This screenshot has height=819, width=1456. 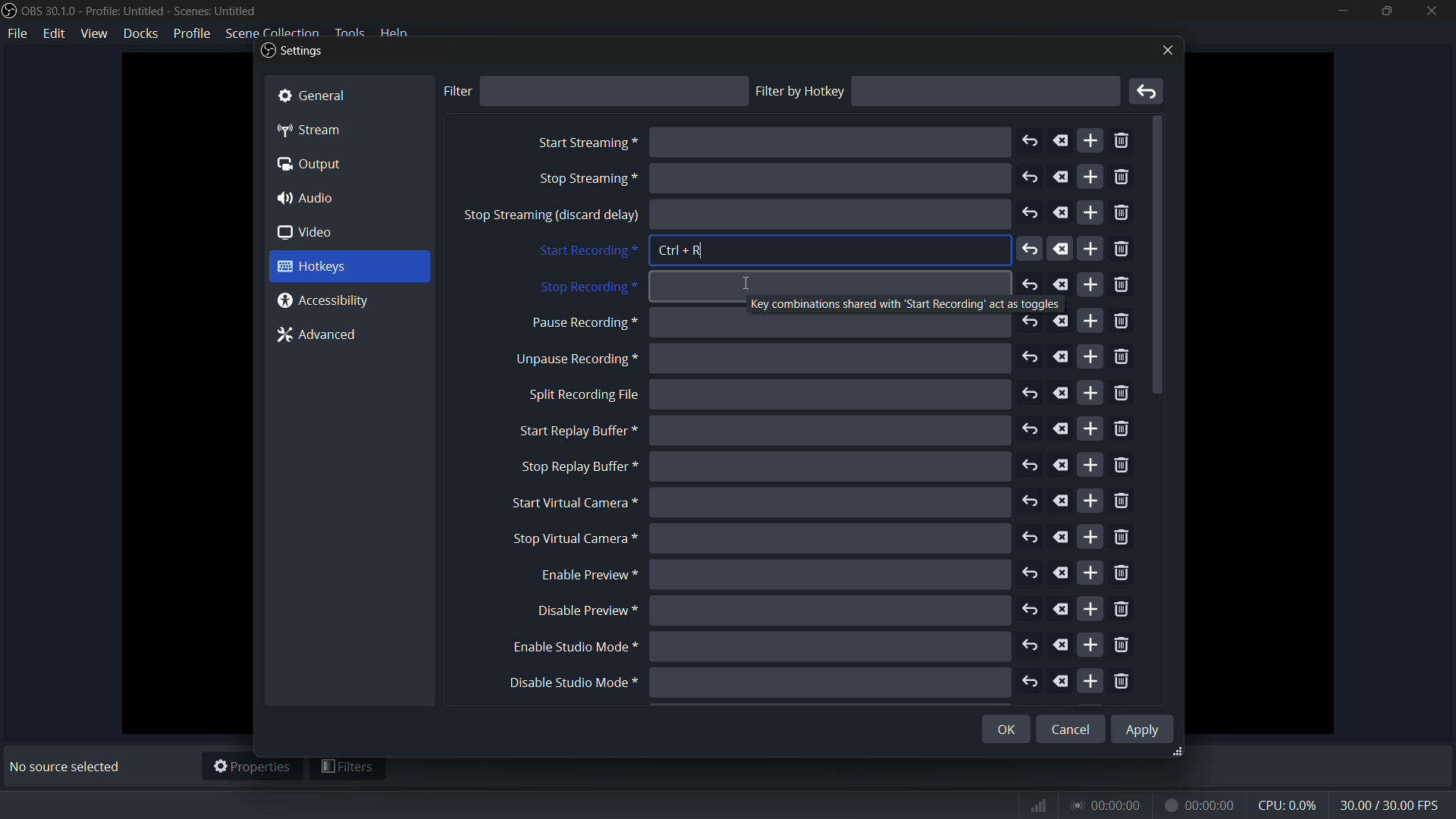 What do you see at coordinates (581, 324) in the screenshot?
I see `pause recording` at bounding box center [581, 324].